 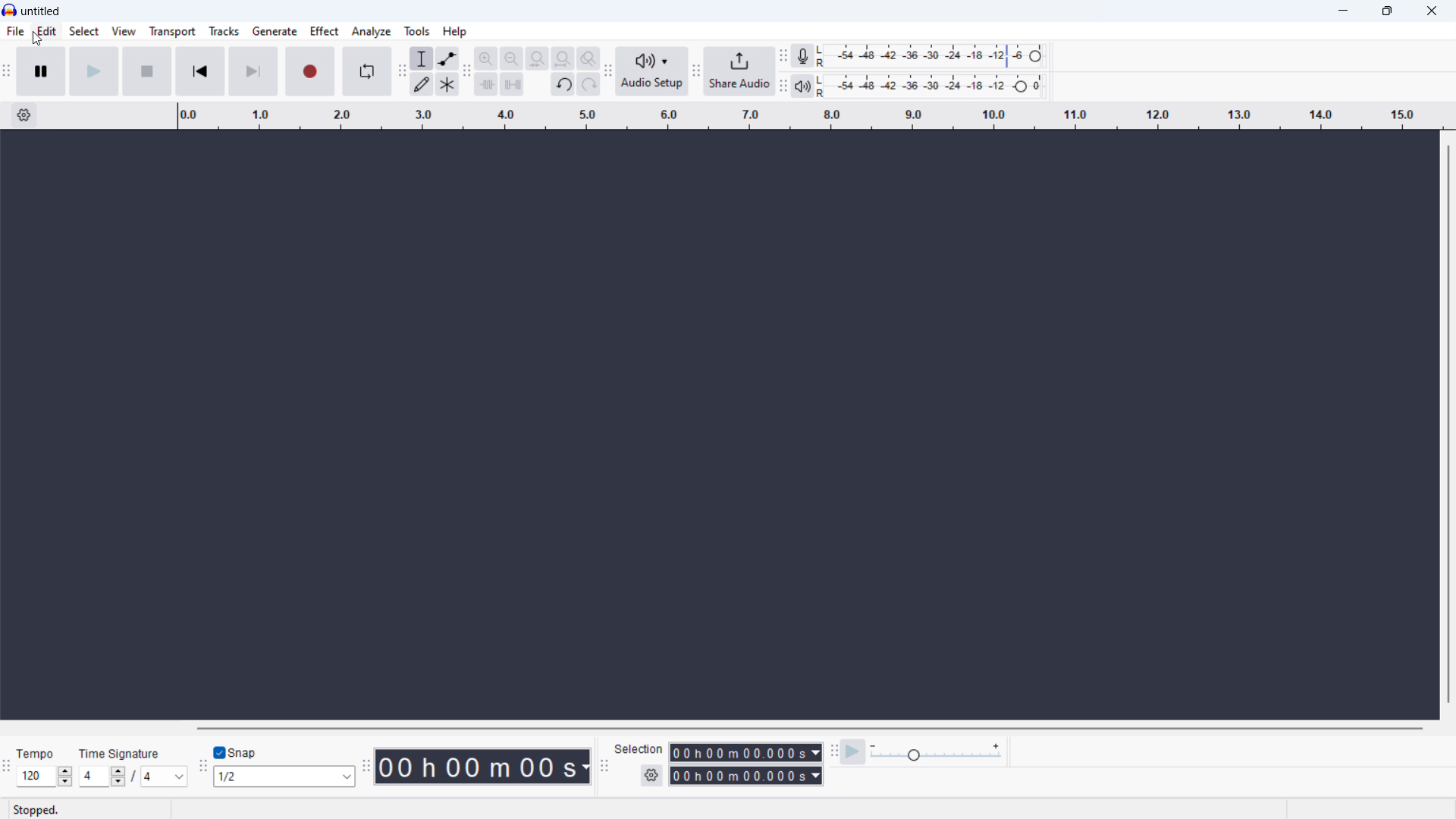 What do you see at coordinates (400, 73) in the screenshot?
I see `tools toolbar` at bounding box center [400, 73].